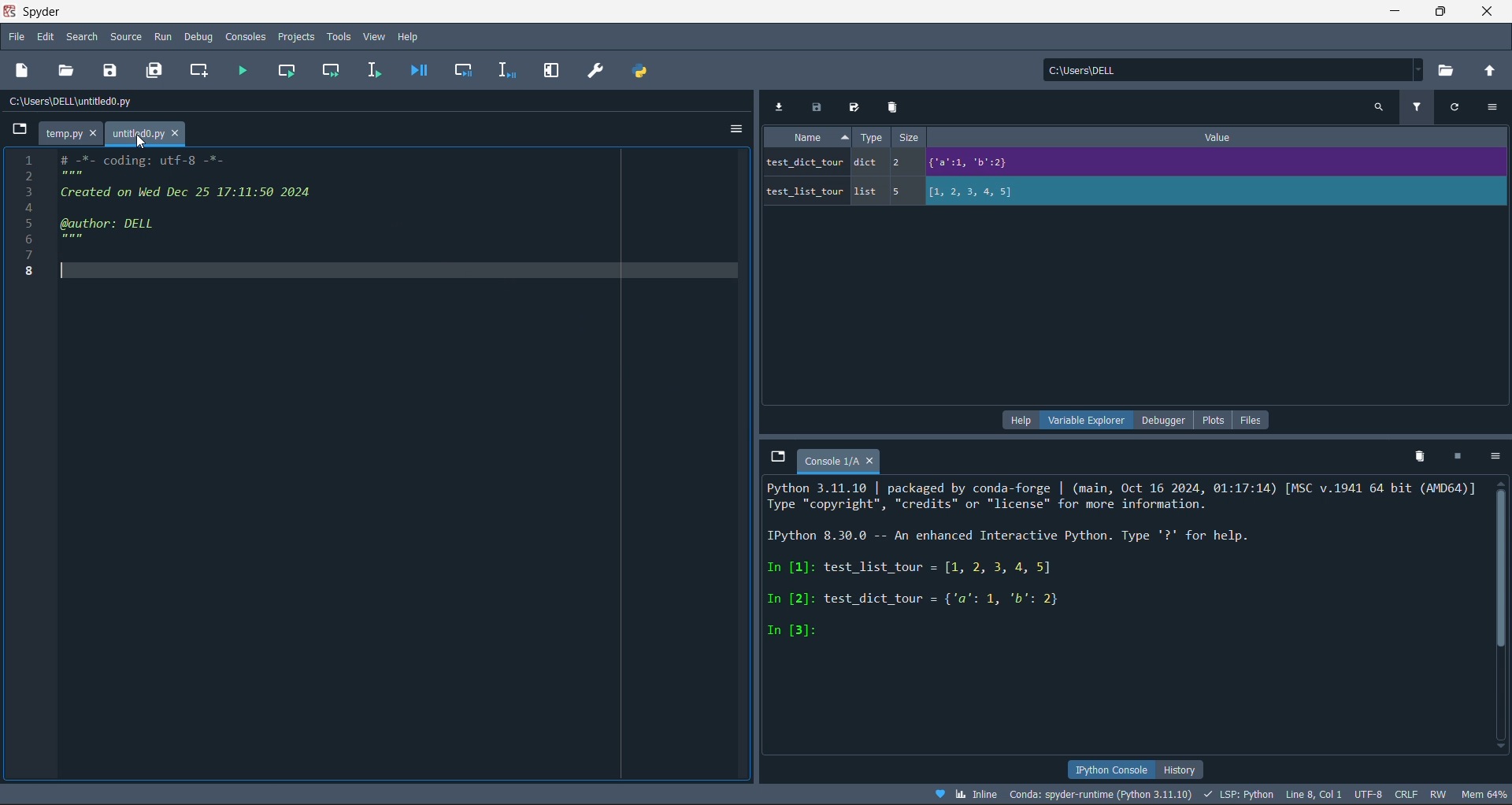 Image resolution: width=1512 pixels, height=805 pixels. What do you see at coordinates (467, 70) in the screenshot?
I see `debug cell` at bounding box center [467, 70].